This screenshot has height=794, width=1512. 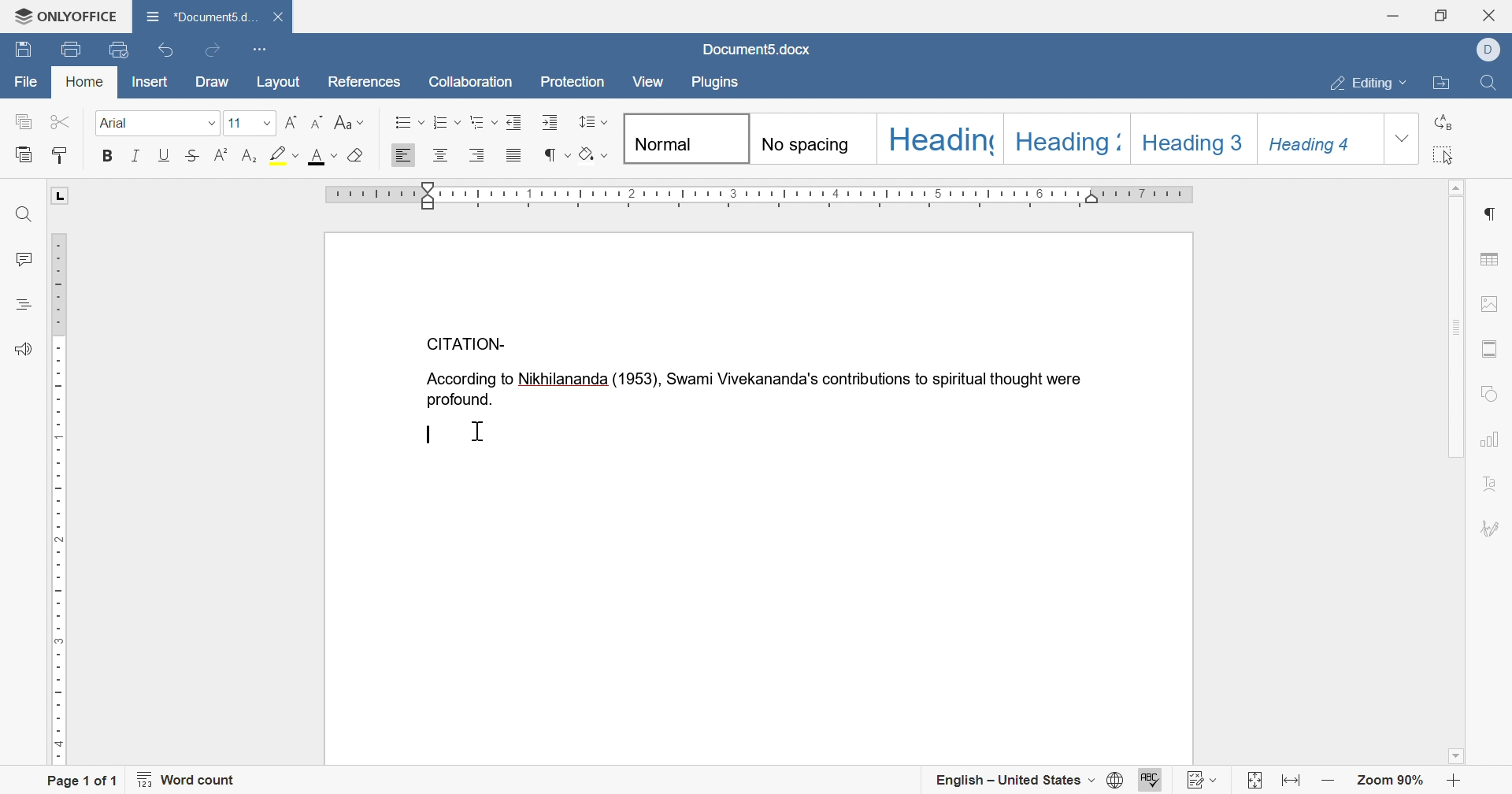 What do you see at coordinates (557, 156) in the screenshot?
I see `nonprinting characters` at bounding box center [557, 156].